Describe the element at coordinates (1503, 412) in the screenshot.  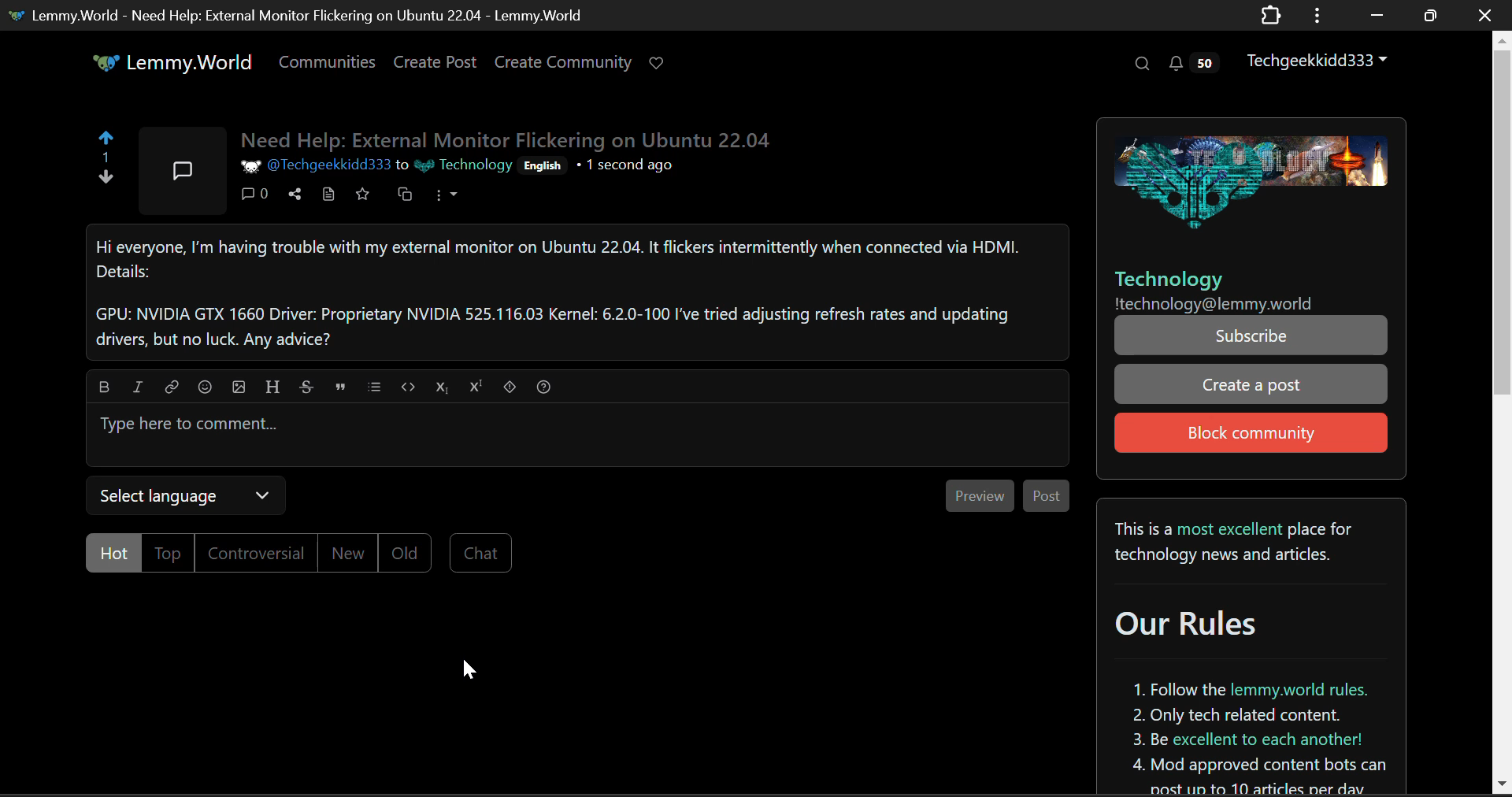
I see `Vertical Scroll Bar` at that location.